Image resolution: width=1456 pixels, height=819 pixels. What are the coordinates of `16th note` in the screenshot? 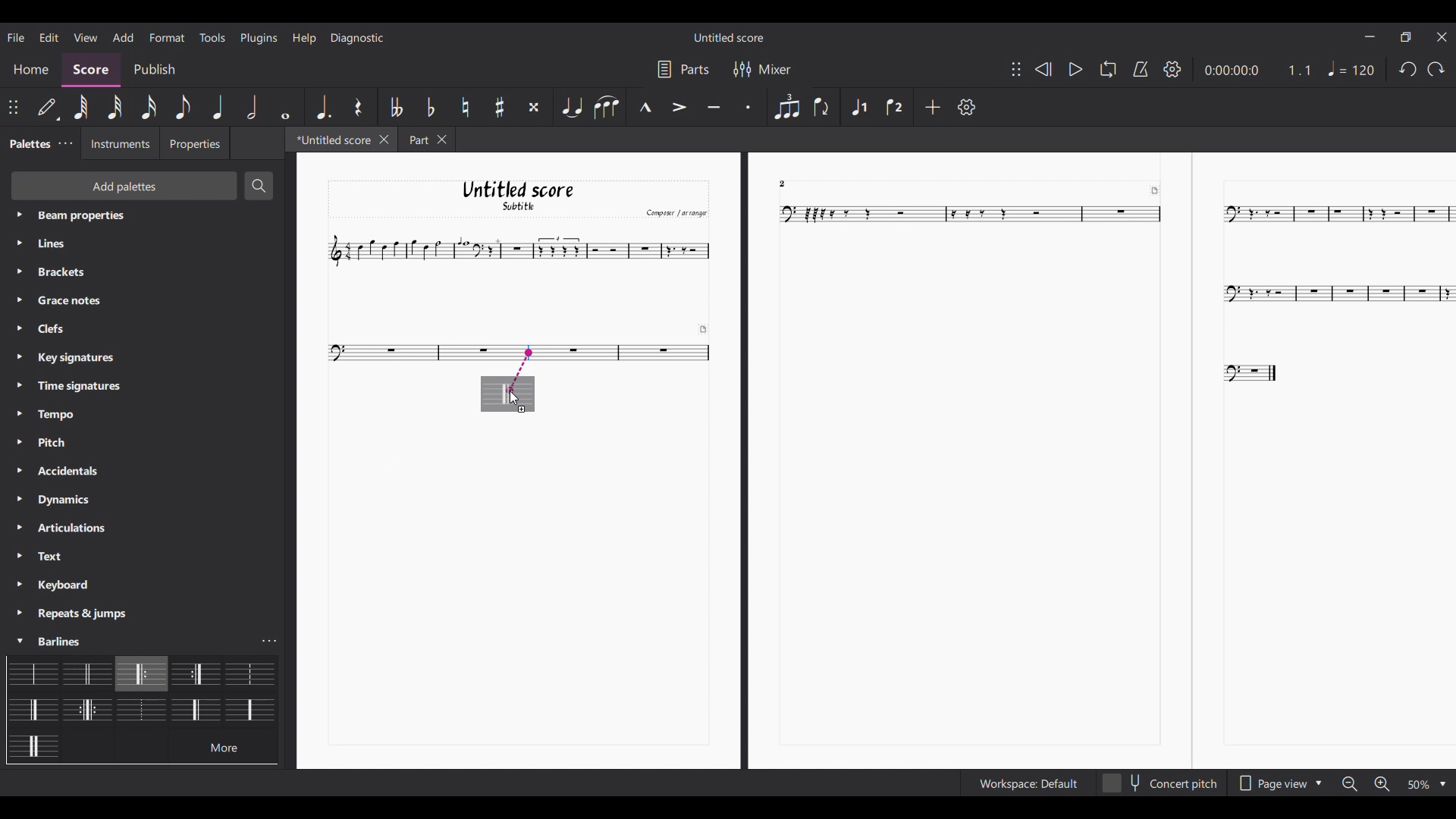 It's located at (149, 107).